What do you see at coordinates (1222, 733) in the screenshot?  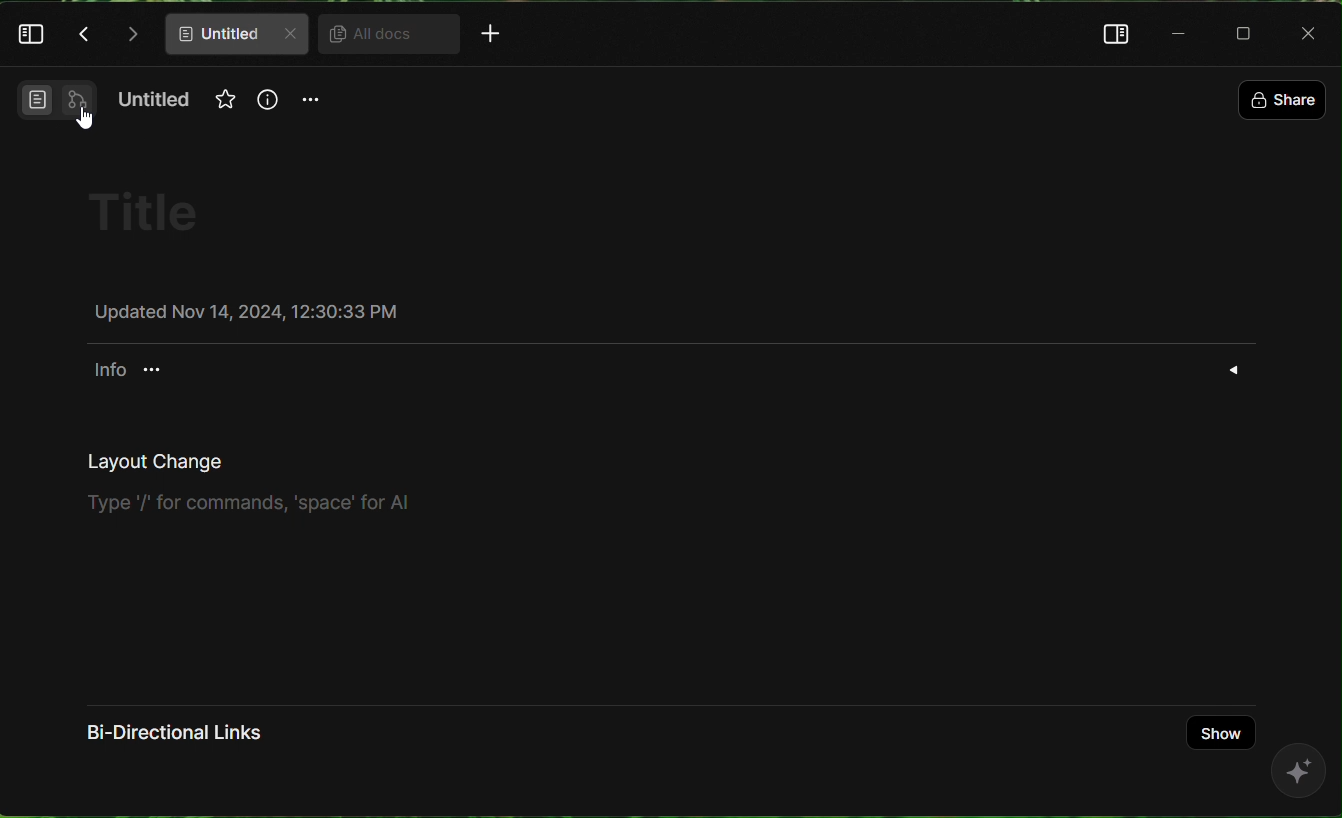 I see `show` at bounding box center [1222, 733].